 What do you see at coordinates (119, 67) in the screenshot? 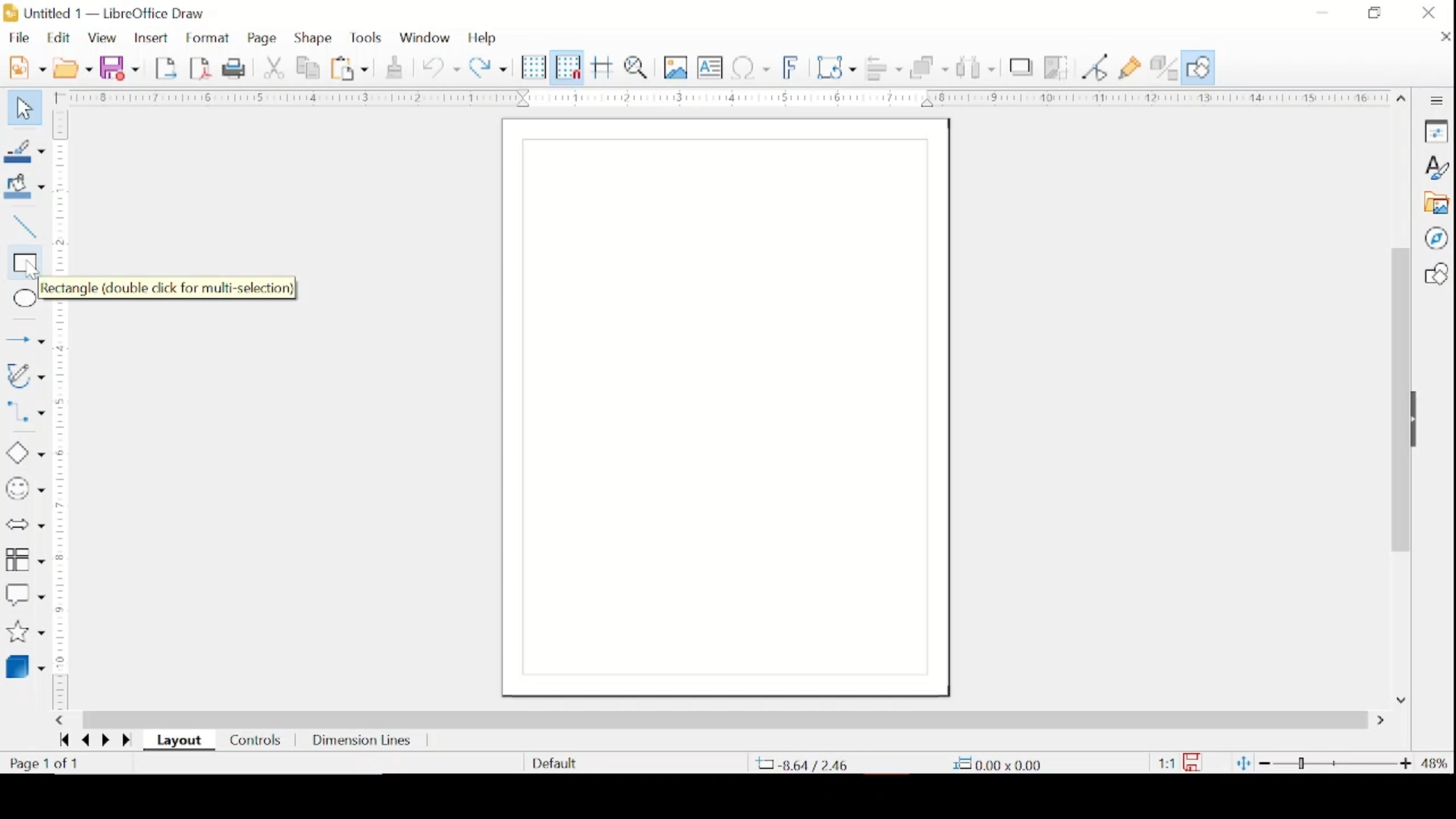
I see `save` at bounding box center [119, 67].